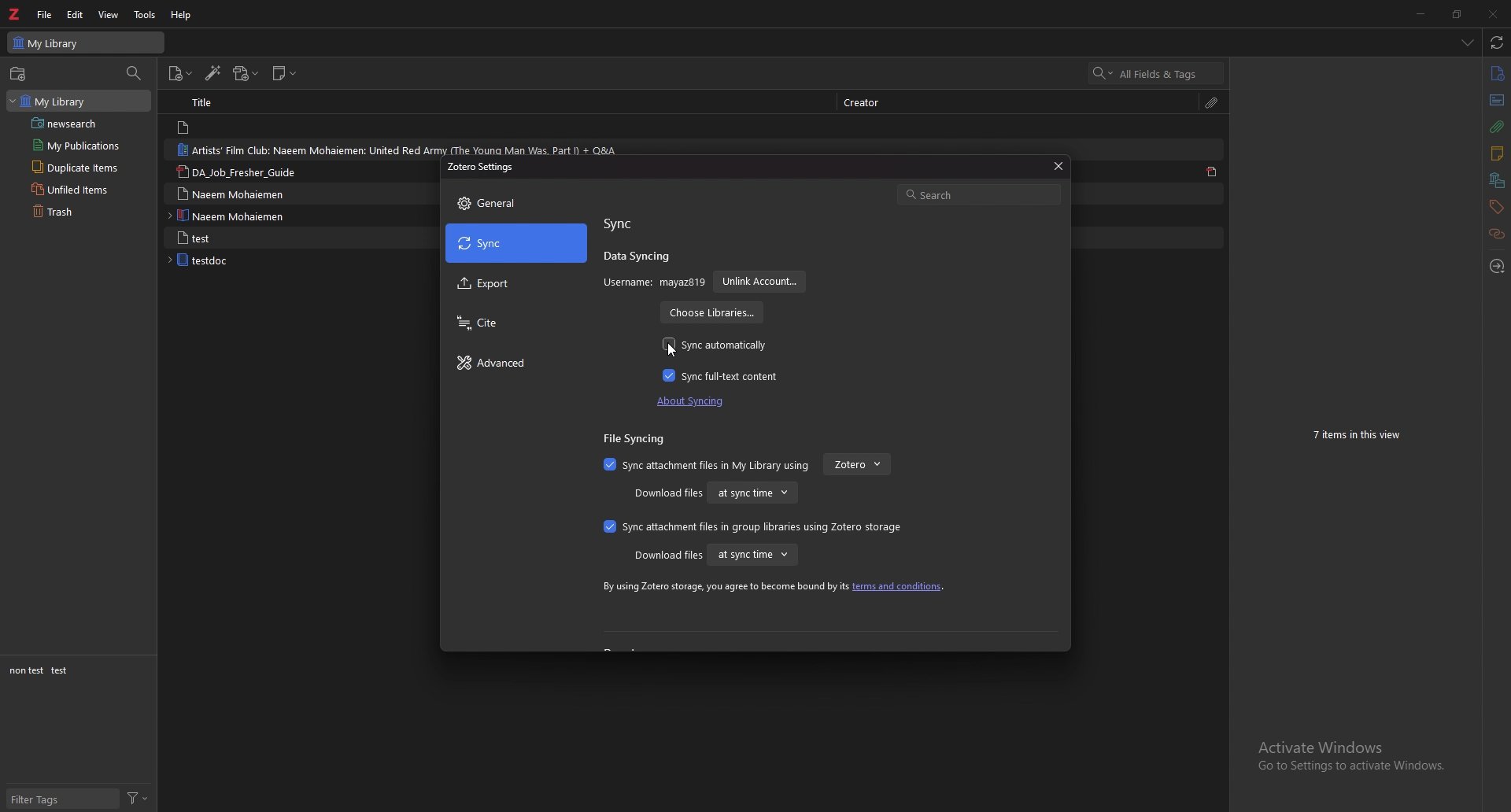 This screenshot has height=812, width=1511. I want to click on file, so click(45, 15).